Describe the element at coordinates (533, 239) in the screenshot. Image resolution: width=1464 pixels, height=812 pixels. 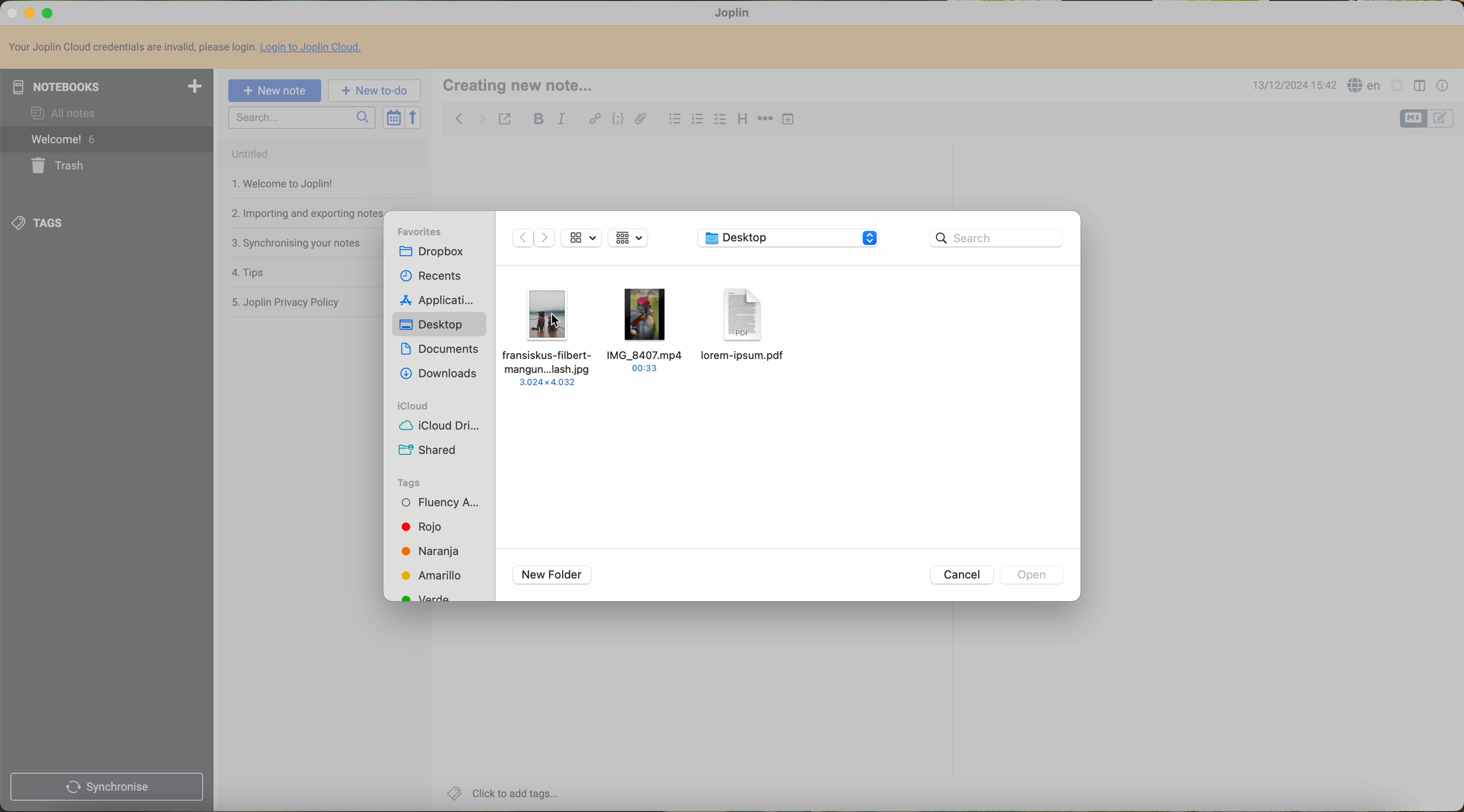
I see `disable navigate arrows` at that location.